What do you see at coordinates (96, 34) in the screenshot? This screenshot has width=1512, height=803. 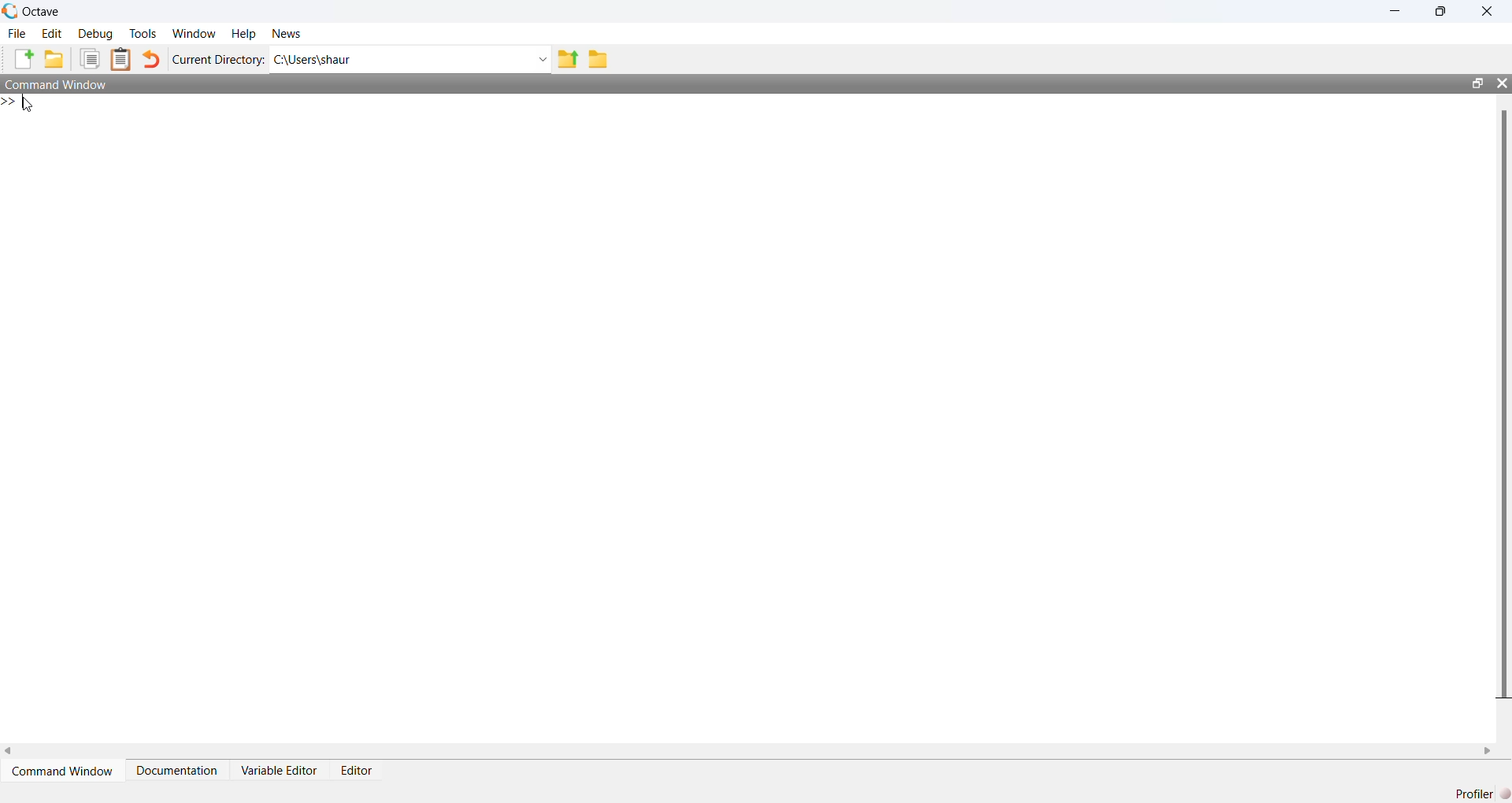 I see `debug` at bounding box center [96, 34].